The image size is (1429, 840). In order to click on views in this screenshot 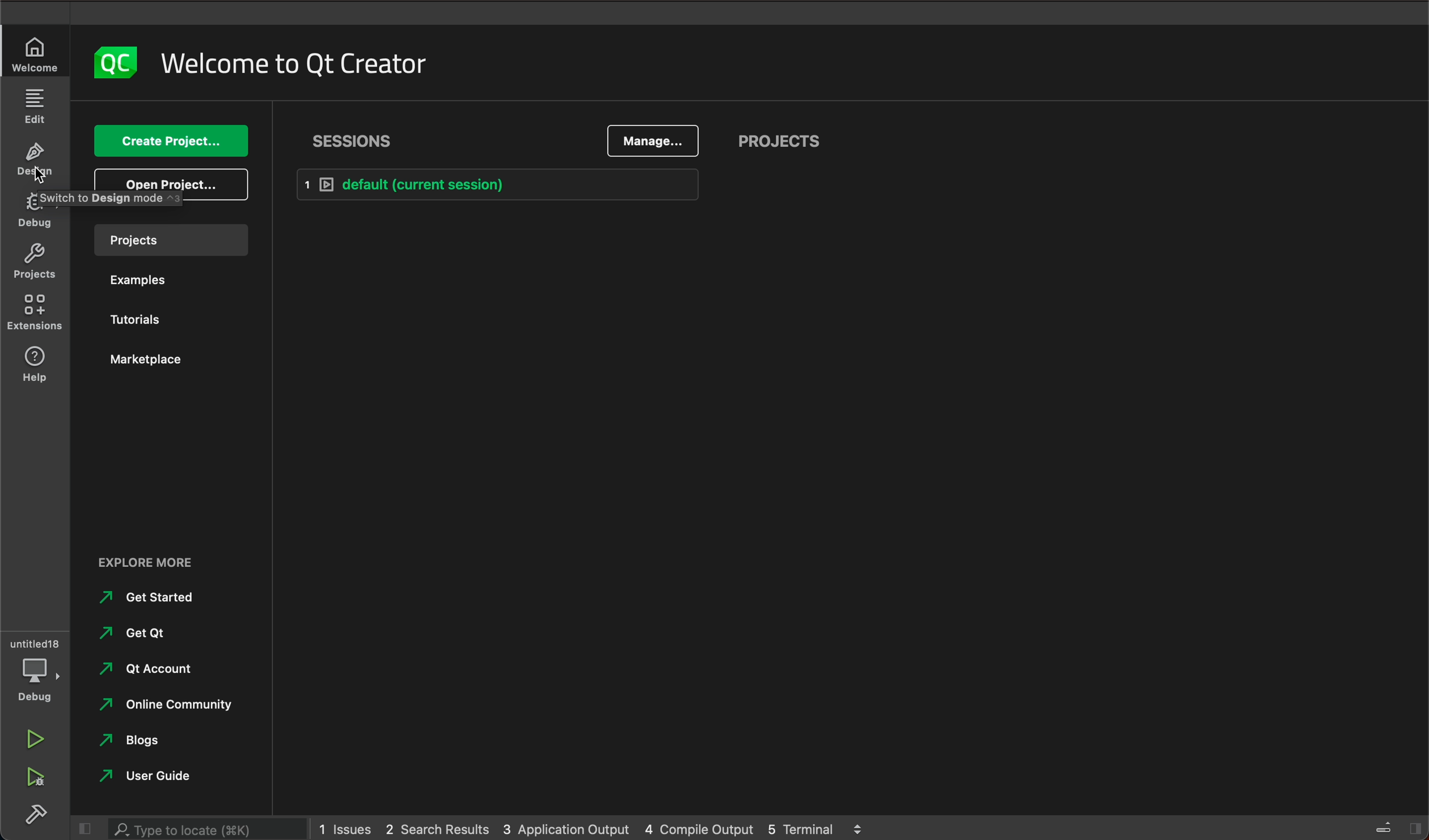, I will do `click(1398, 827)`.